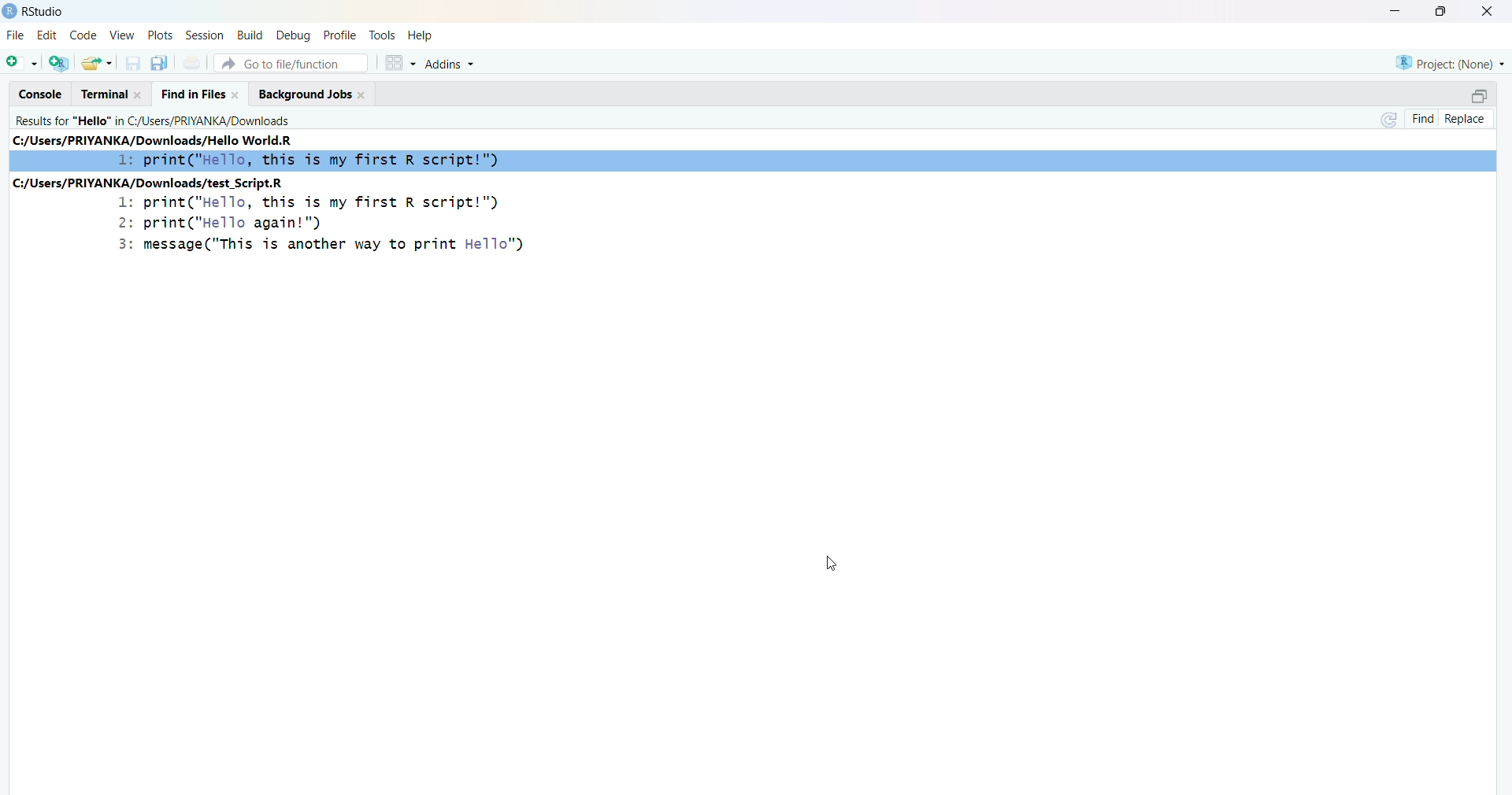 Image resolution: width=1512 pixels, height=795 pixels. I want to click on add file, so click(61, 63).